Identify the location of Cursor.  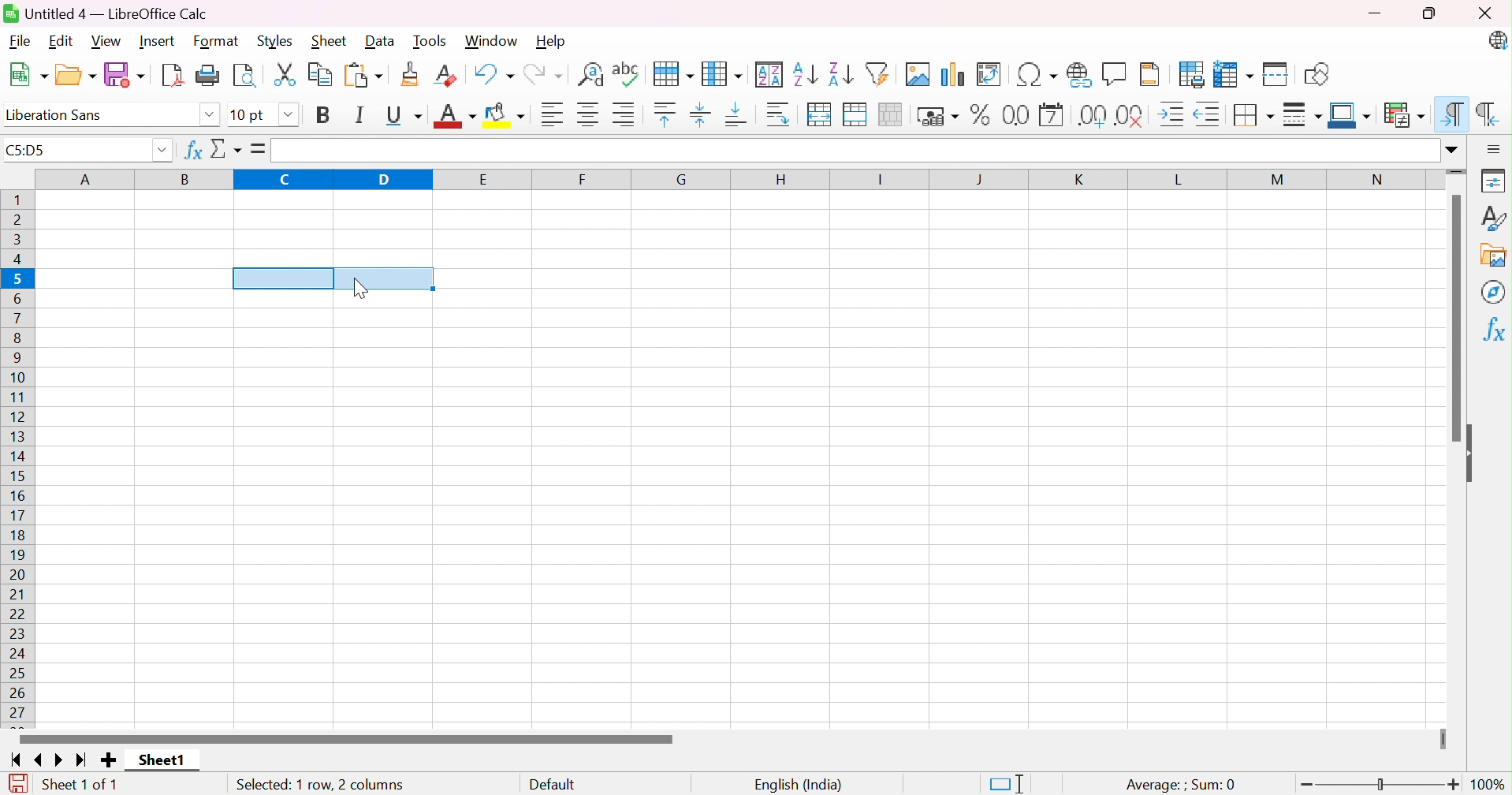
(359, 289).